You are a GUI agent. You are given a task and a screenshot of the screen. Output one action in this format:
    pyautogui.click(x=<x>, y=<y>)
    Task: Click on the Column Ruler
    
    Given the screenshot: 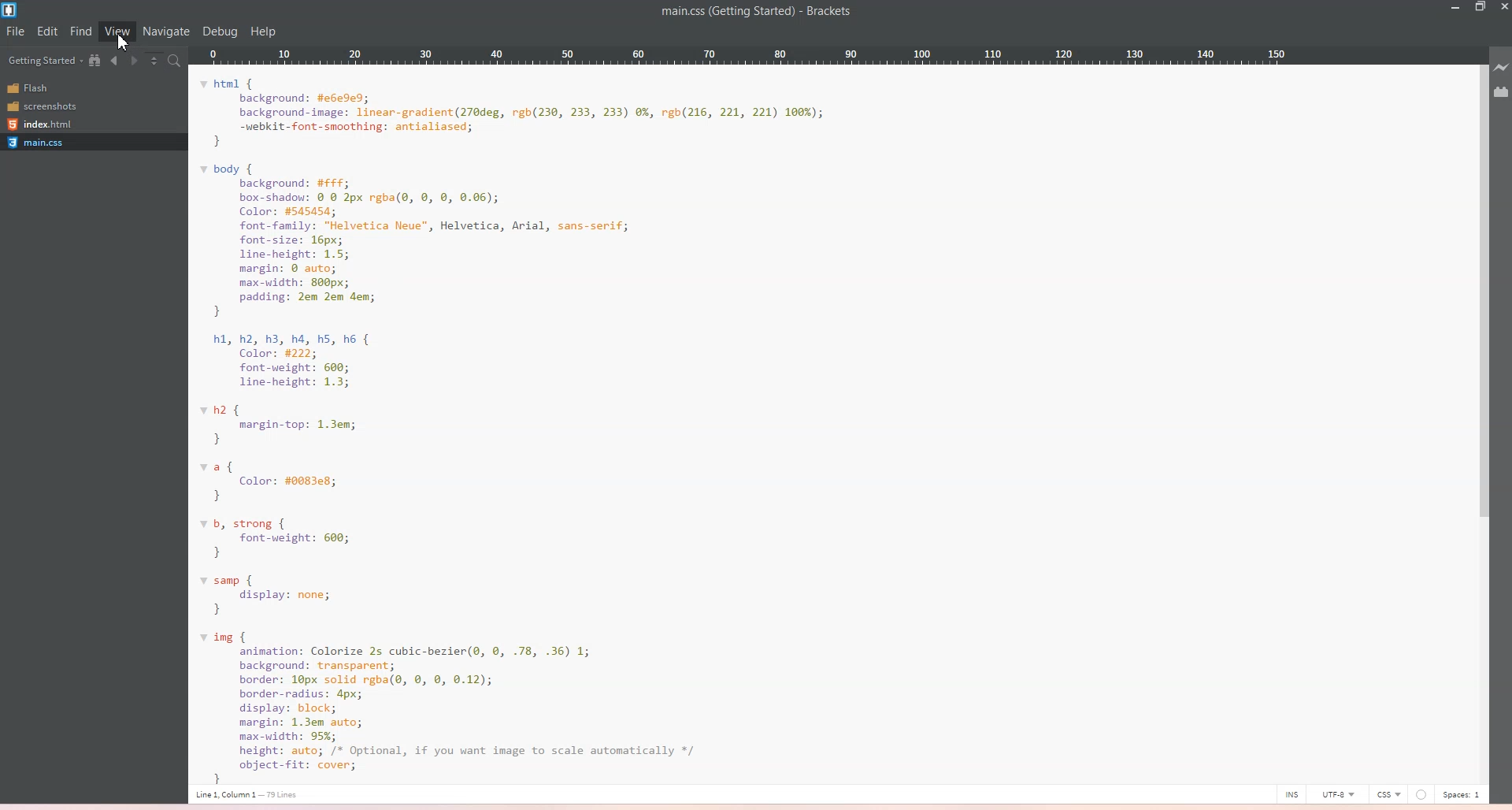 What is the action you would take?
    pyautogui.click(x=834, y=54)
    